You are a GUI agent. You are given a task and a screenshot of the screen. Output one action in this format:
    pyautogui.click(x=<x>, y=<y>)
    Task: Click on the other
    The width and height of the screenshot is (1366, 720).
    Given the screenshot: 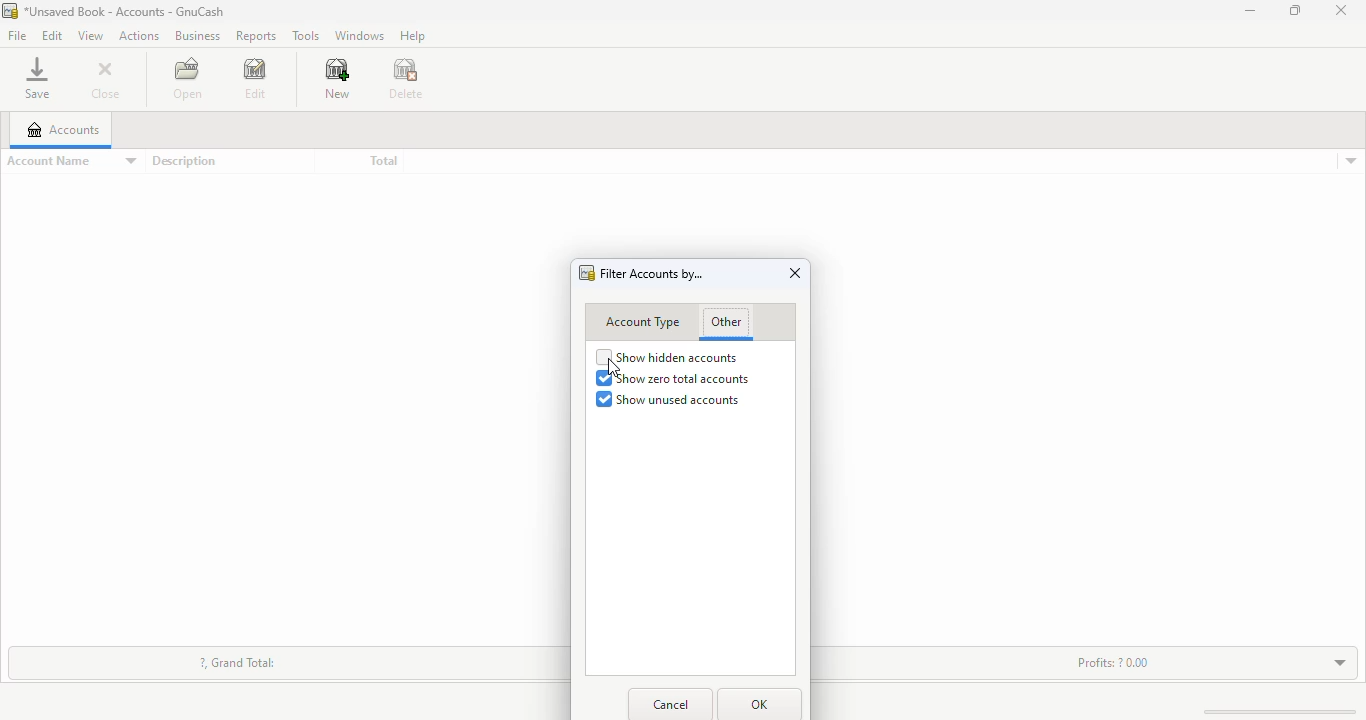 What is the action you would take?
    pyautogui.click(x=725, y=323)
    